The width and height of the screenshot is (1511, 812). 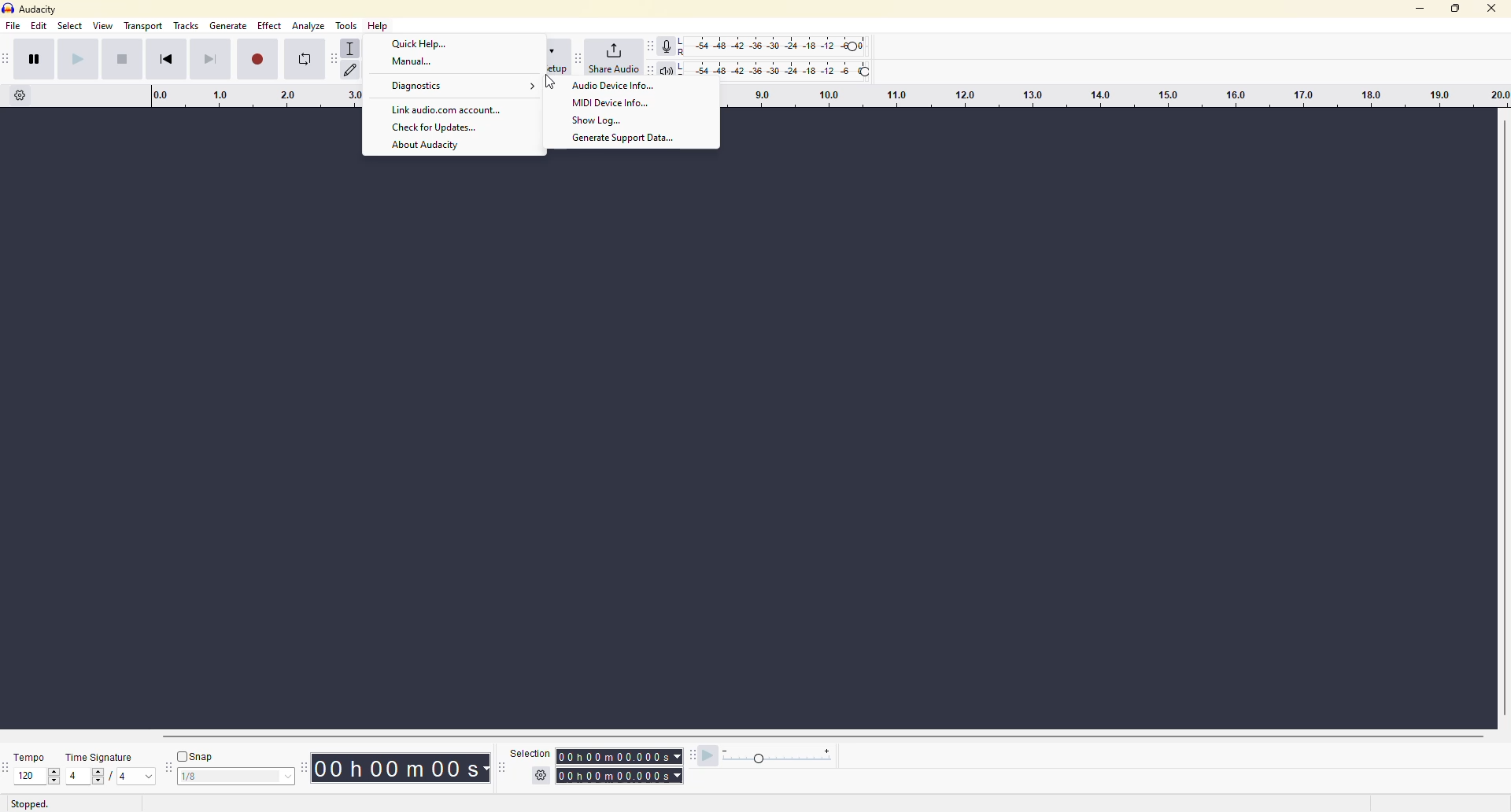 I want to click on audacity tools toolbar, so click(x=331, y=57).